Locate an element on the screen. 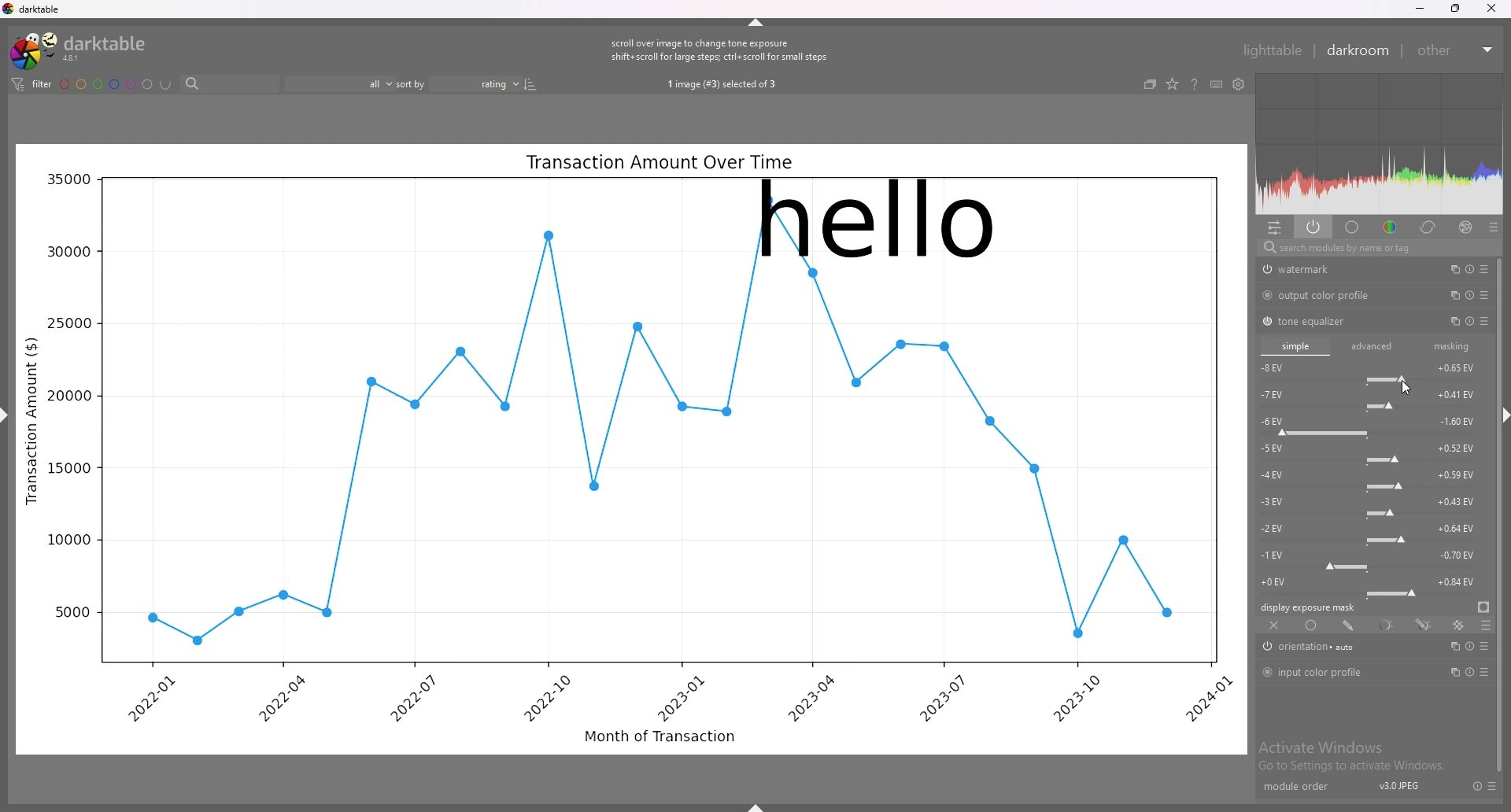 The image size is (1511, 812). drawn and parametric mask is located at coordinates (1422, 624).